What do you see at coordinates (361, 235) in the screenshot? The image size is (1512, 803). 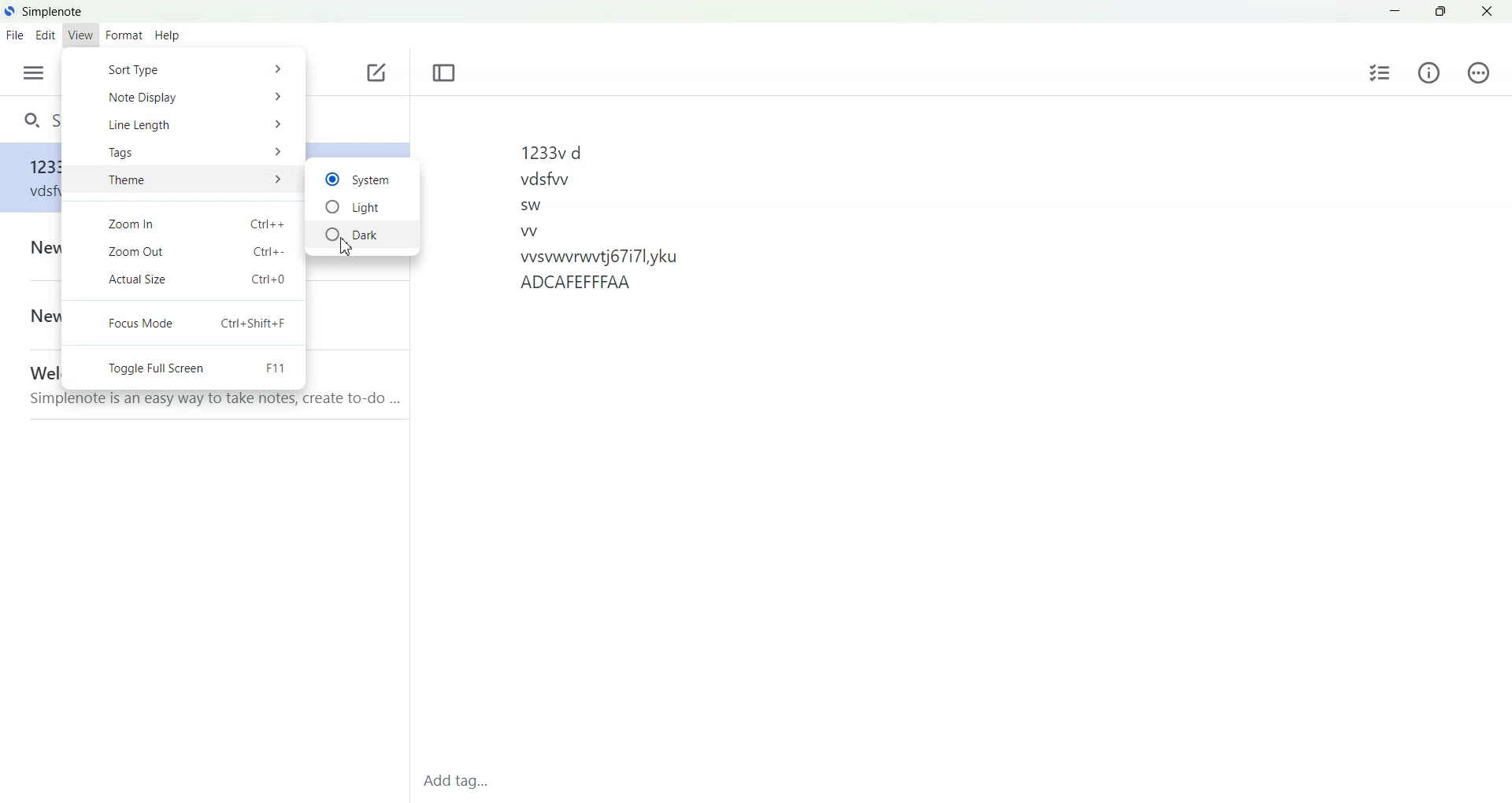 I see `Dark` at bounding box center [361, 235].